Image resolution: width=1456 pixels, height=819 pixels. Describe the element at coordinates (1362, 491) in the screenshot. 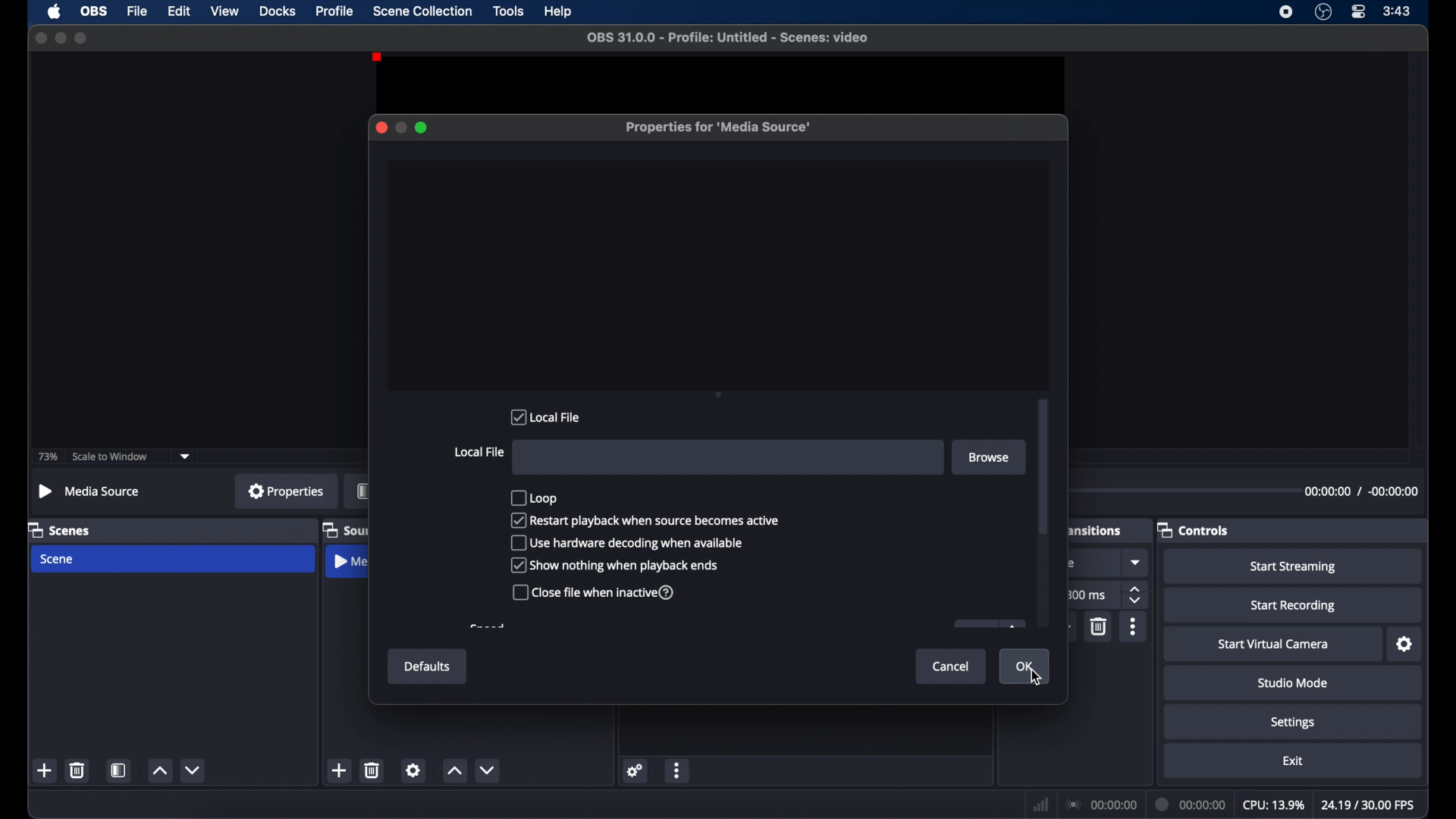

I see `00:00:00 / -00:00:00` at that location.